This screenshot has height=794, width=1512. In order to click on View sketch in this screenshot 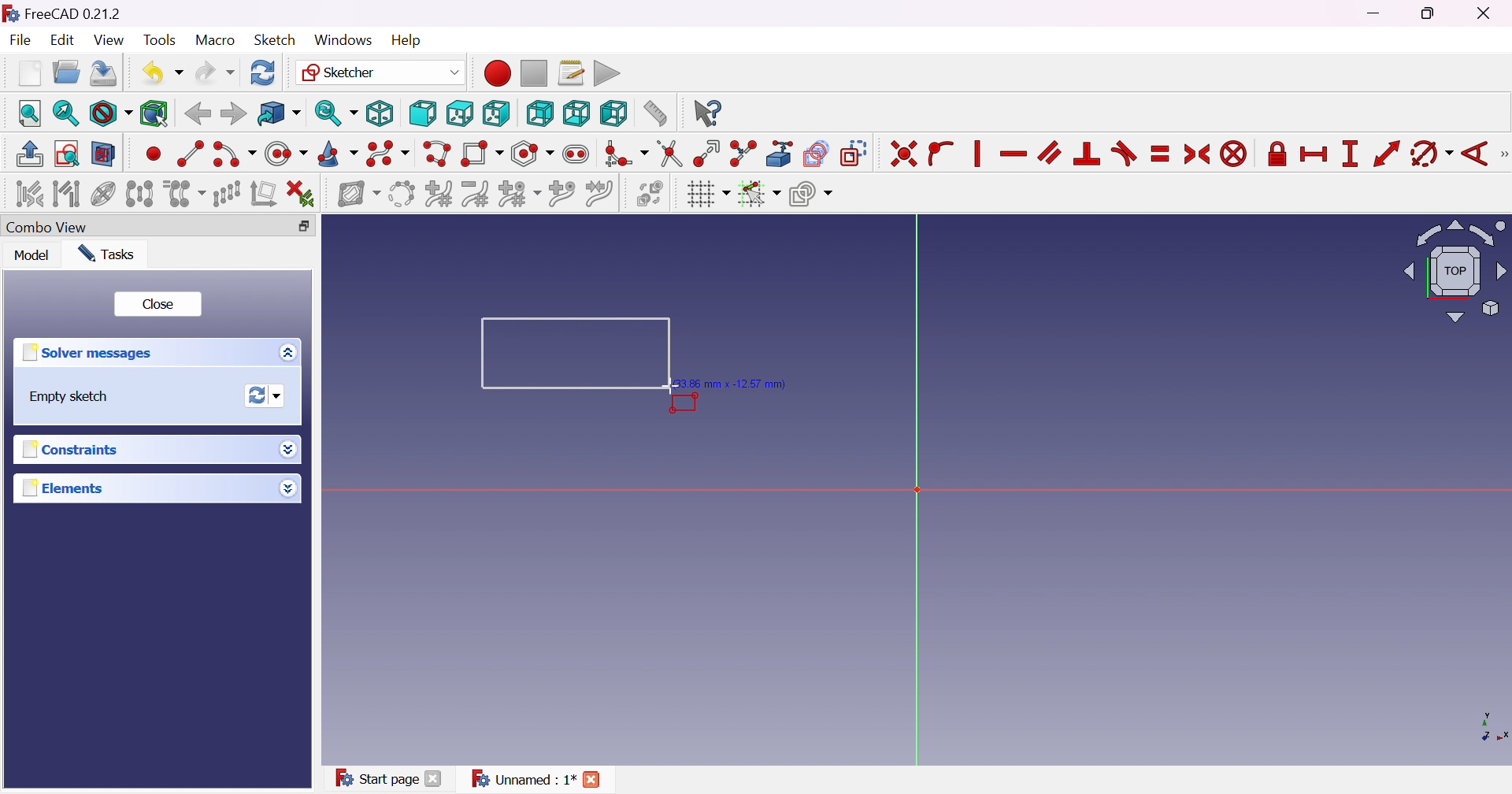, I will do `click(66, 154)`.